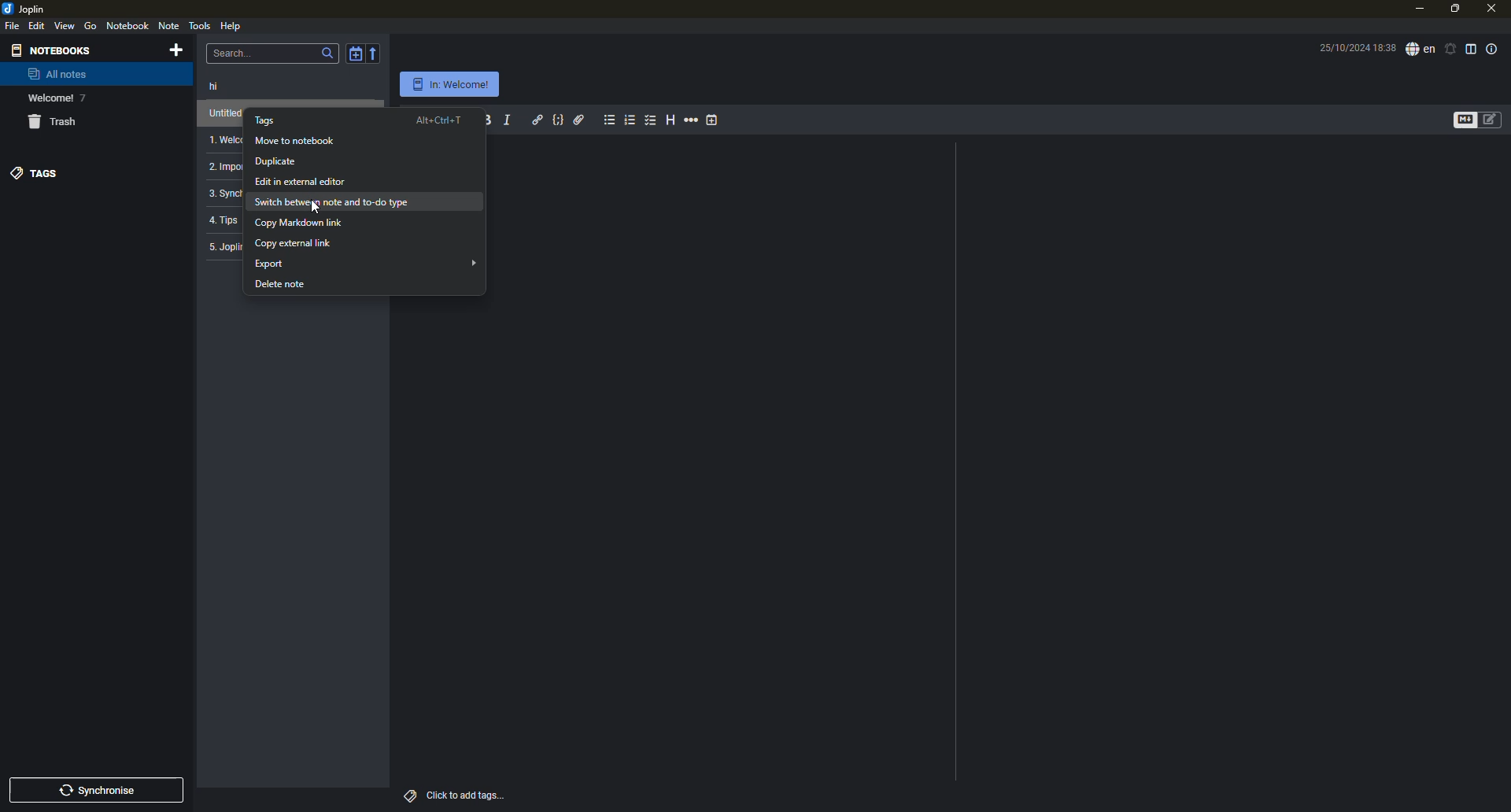 Image resolution: width=1511 pixels, height=812 pixels. Describe the element at coordinates (1420, 50) in the screenshot. I see `spell checker` at that location.